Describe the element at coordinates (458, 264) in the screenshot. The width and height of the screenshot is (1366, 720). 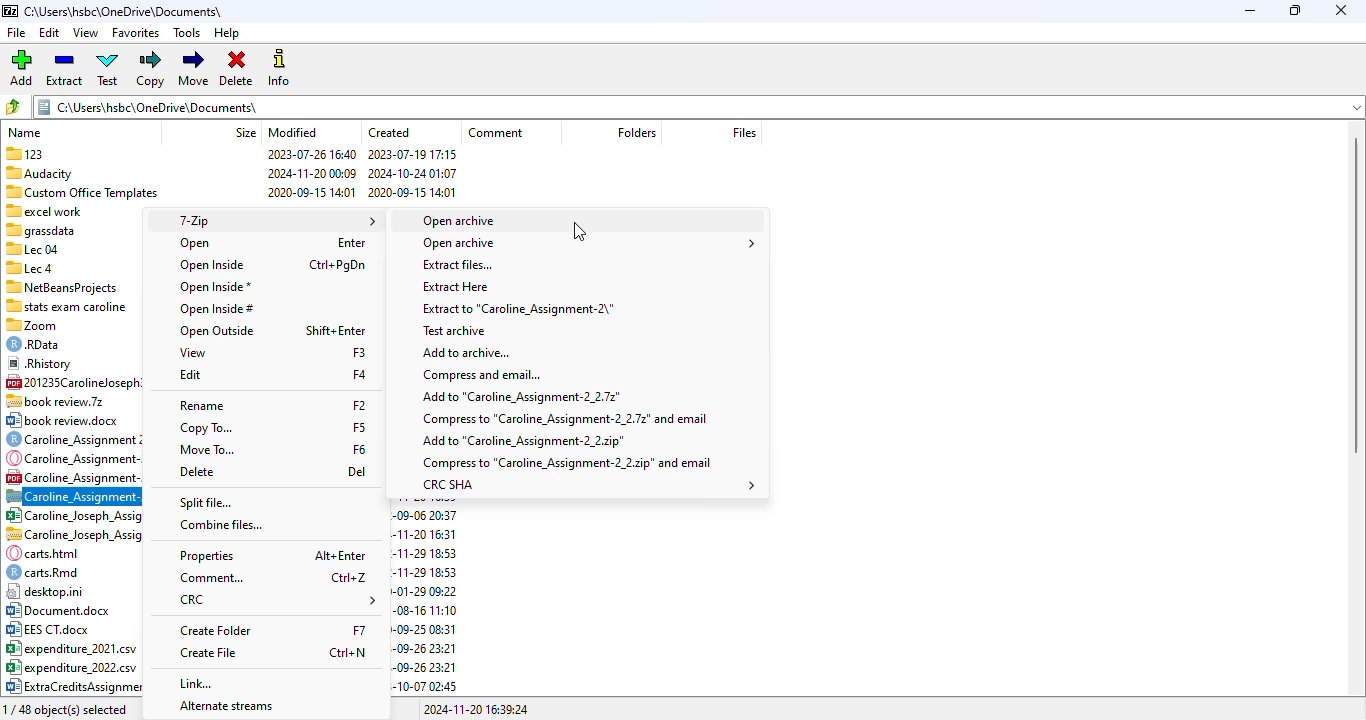
I see `extract file` at that location.